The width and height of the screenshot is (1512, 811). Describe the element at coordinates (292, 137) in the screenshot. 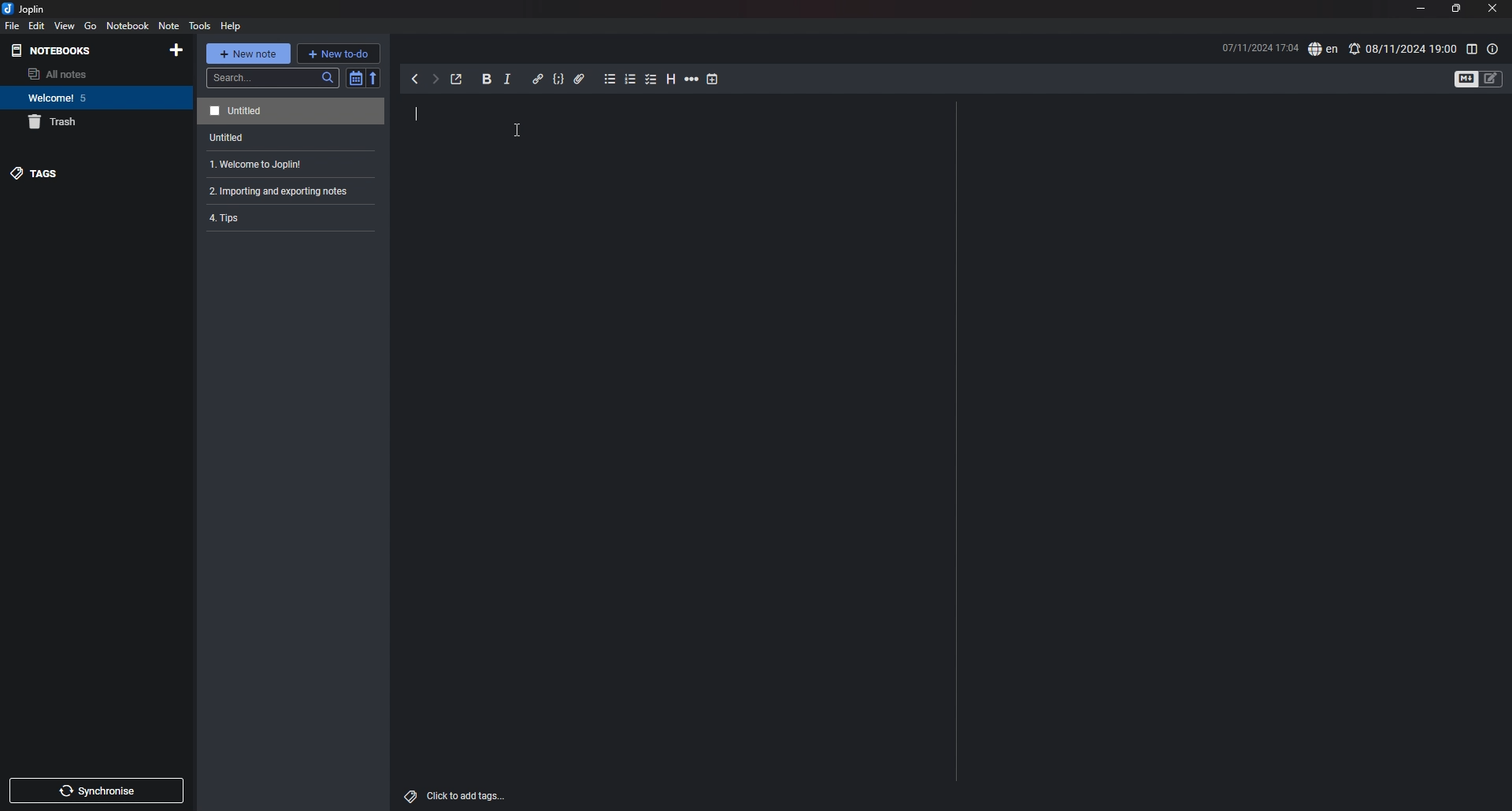

I see `note` at that location.